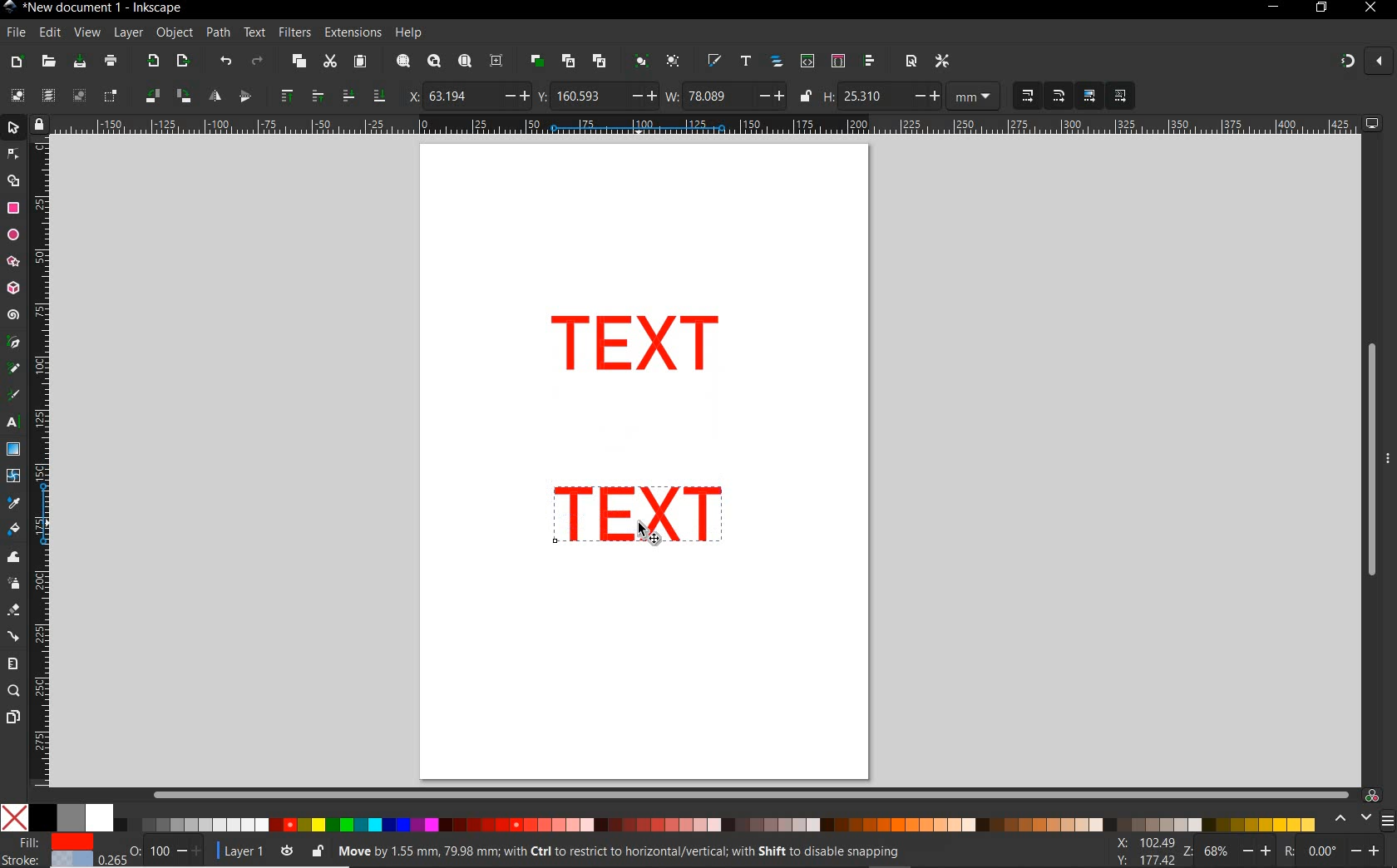 The width and height of the screenshot is (1397, 868). I want to click on rectangle tool, so click(13, 208).